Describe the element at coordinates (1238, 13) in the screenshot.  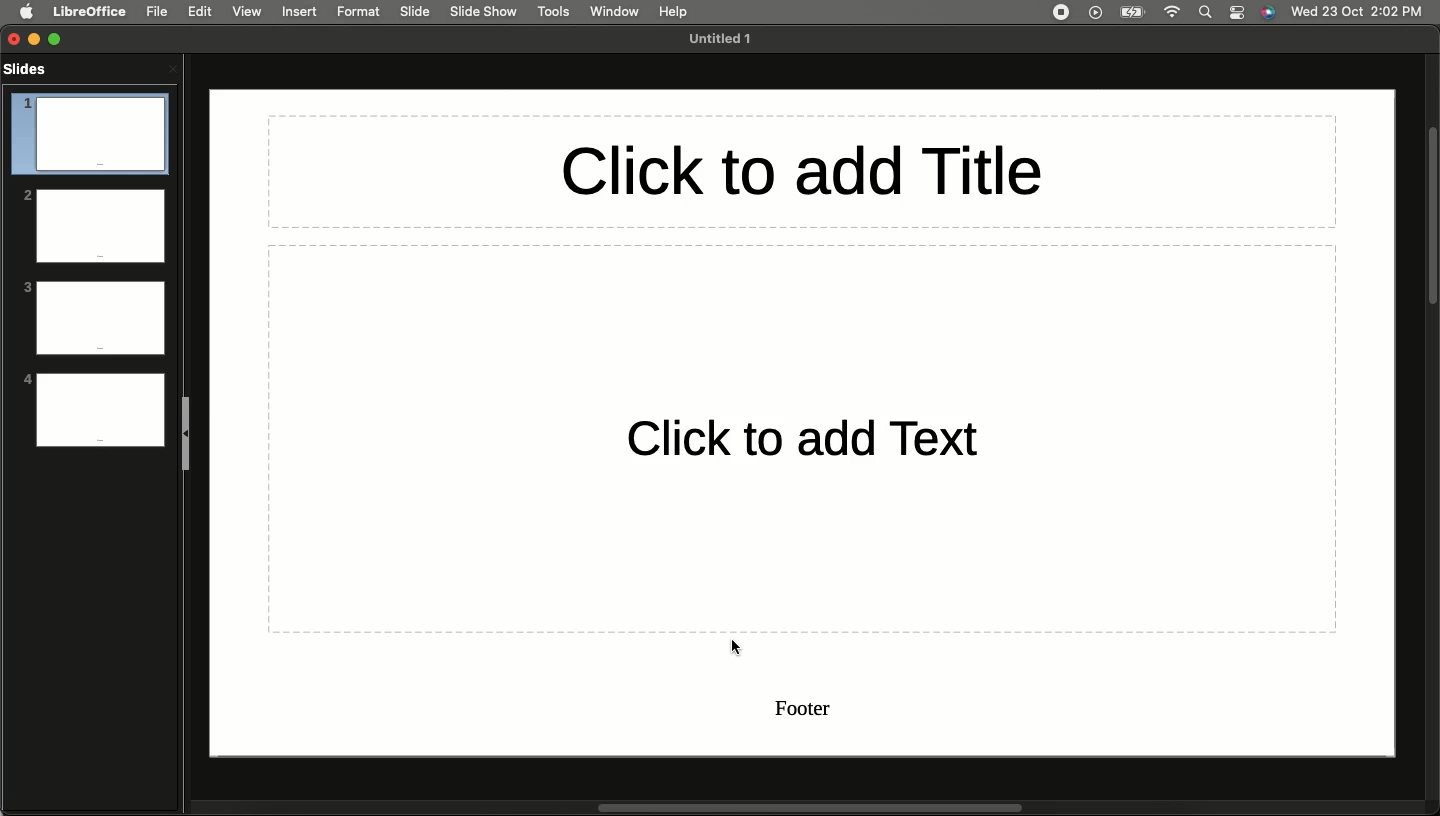
I see `Notification bar` at that location.